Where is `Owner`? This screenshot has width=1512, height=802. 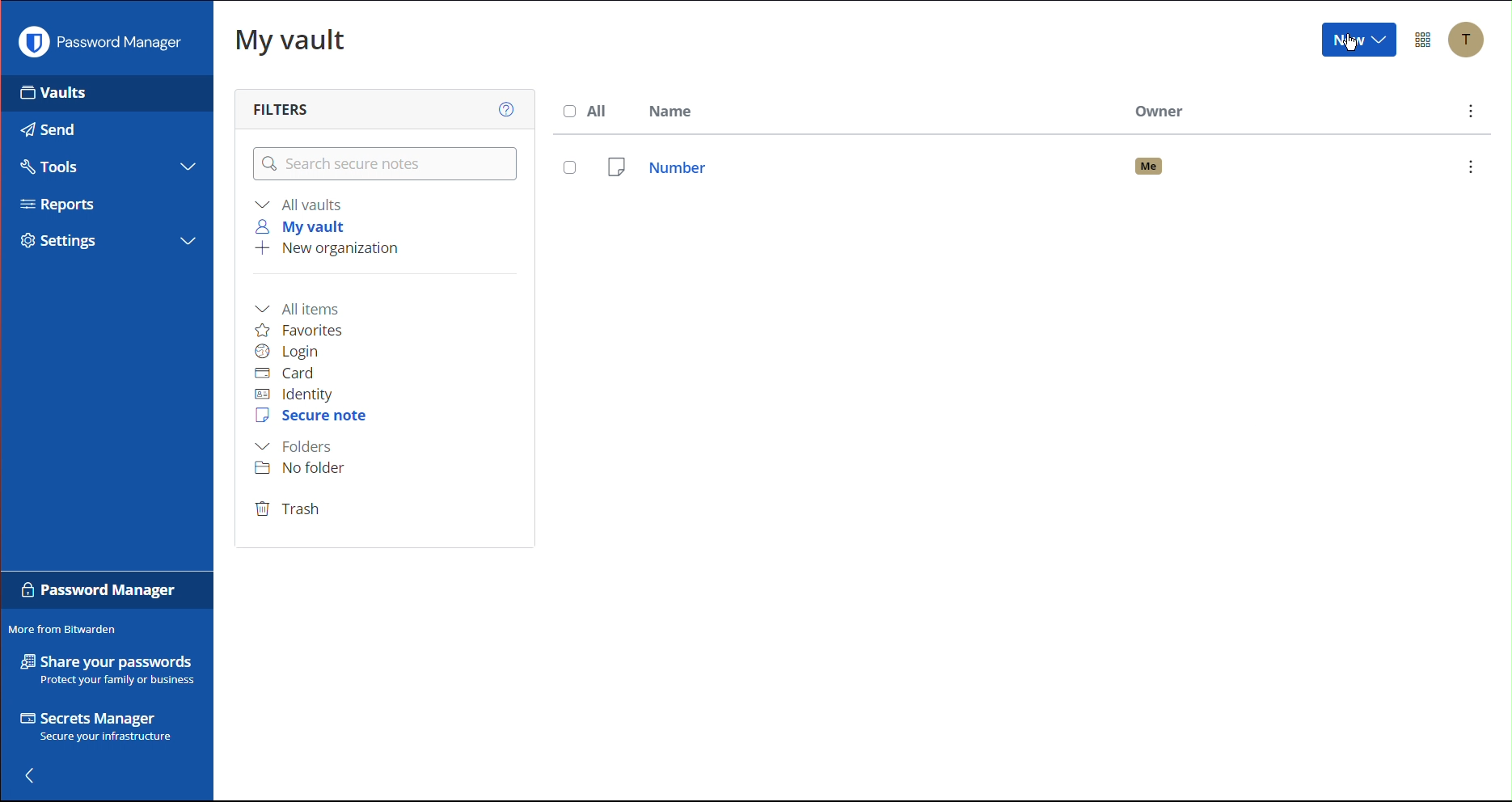 Owner is located at coordinates (1162, 108).